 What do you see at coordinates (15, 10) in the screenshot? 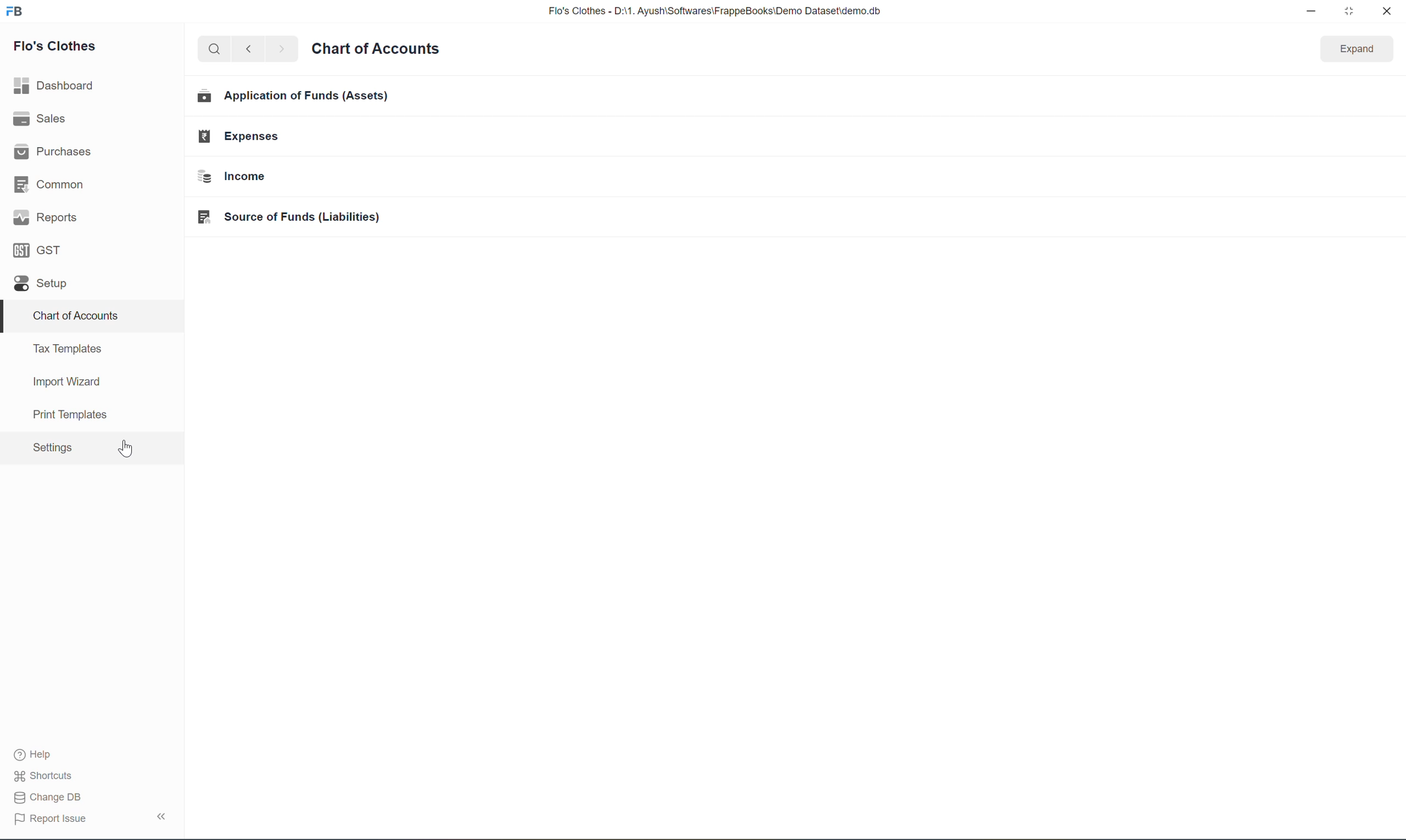
I see `logo` at bounding box center [15, 10].